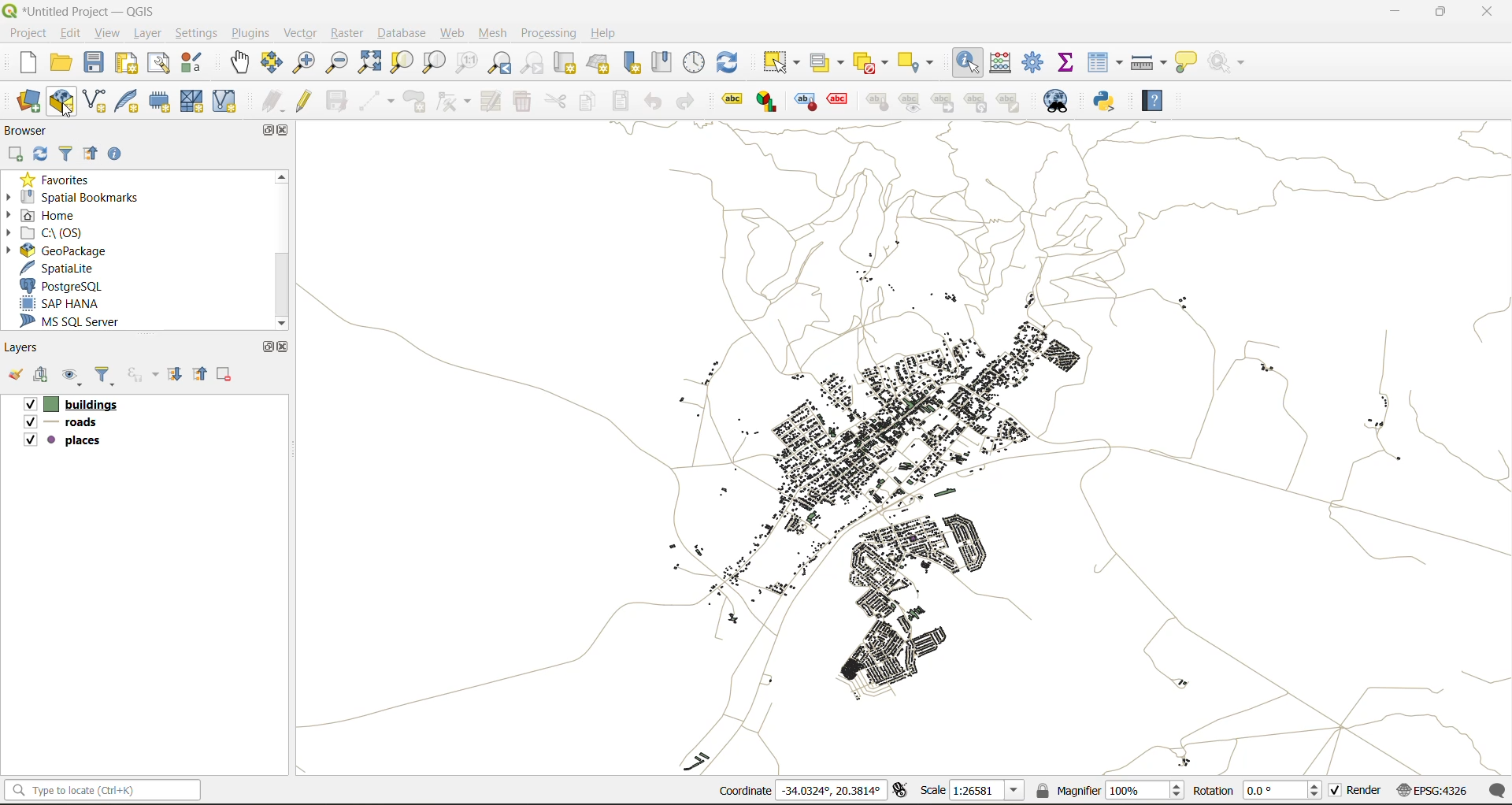  What do you see at coordinates (1106, 63) in the screenshot?
I see `attributes table` at bounding box center [1106, 63].